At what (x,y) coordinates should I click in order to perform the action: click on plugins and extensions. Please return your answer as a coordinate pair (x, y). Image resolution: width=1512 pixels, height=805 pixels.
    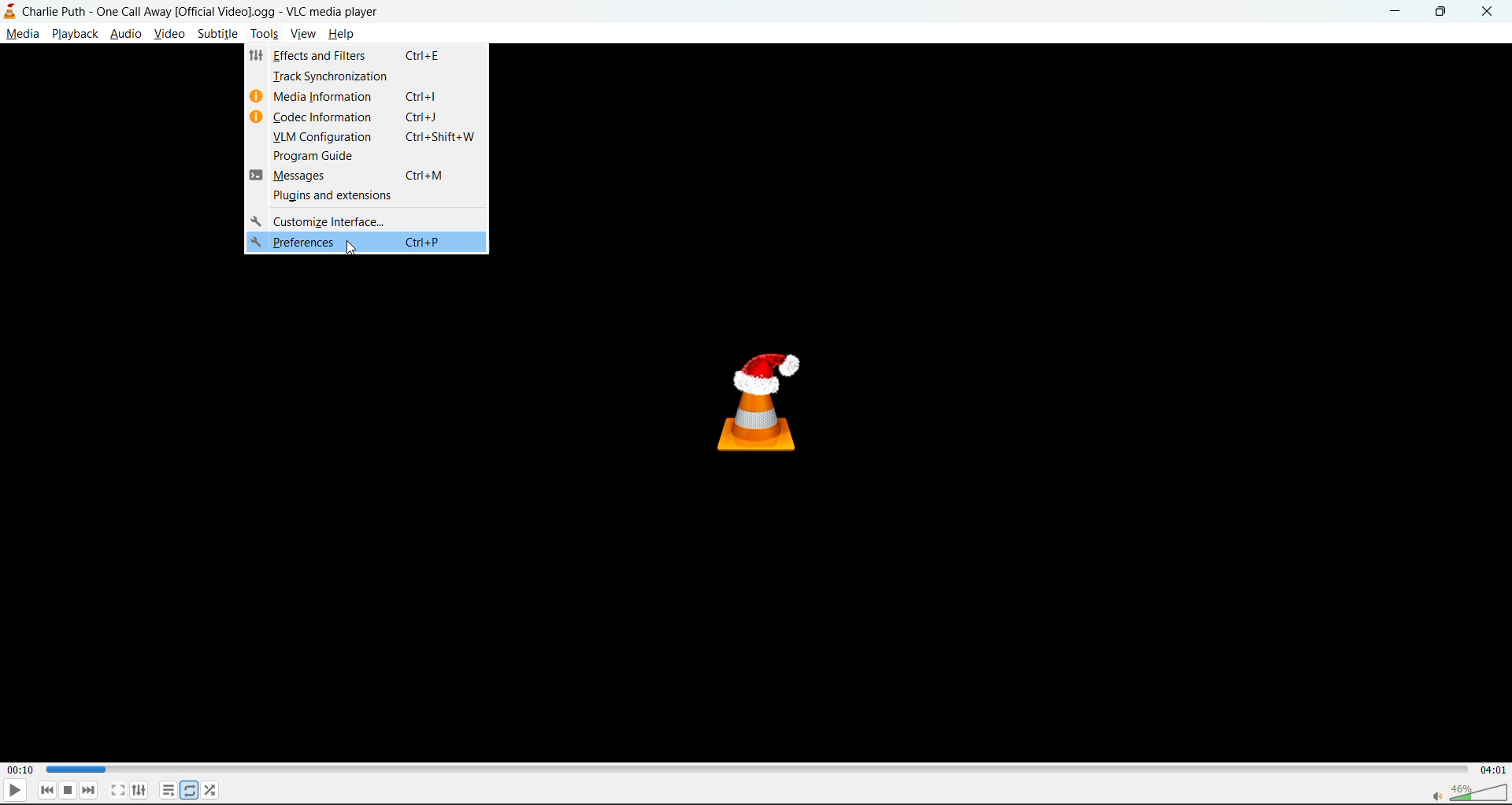
    Looking at the image, I should click on (378, 196).